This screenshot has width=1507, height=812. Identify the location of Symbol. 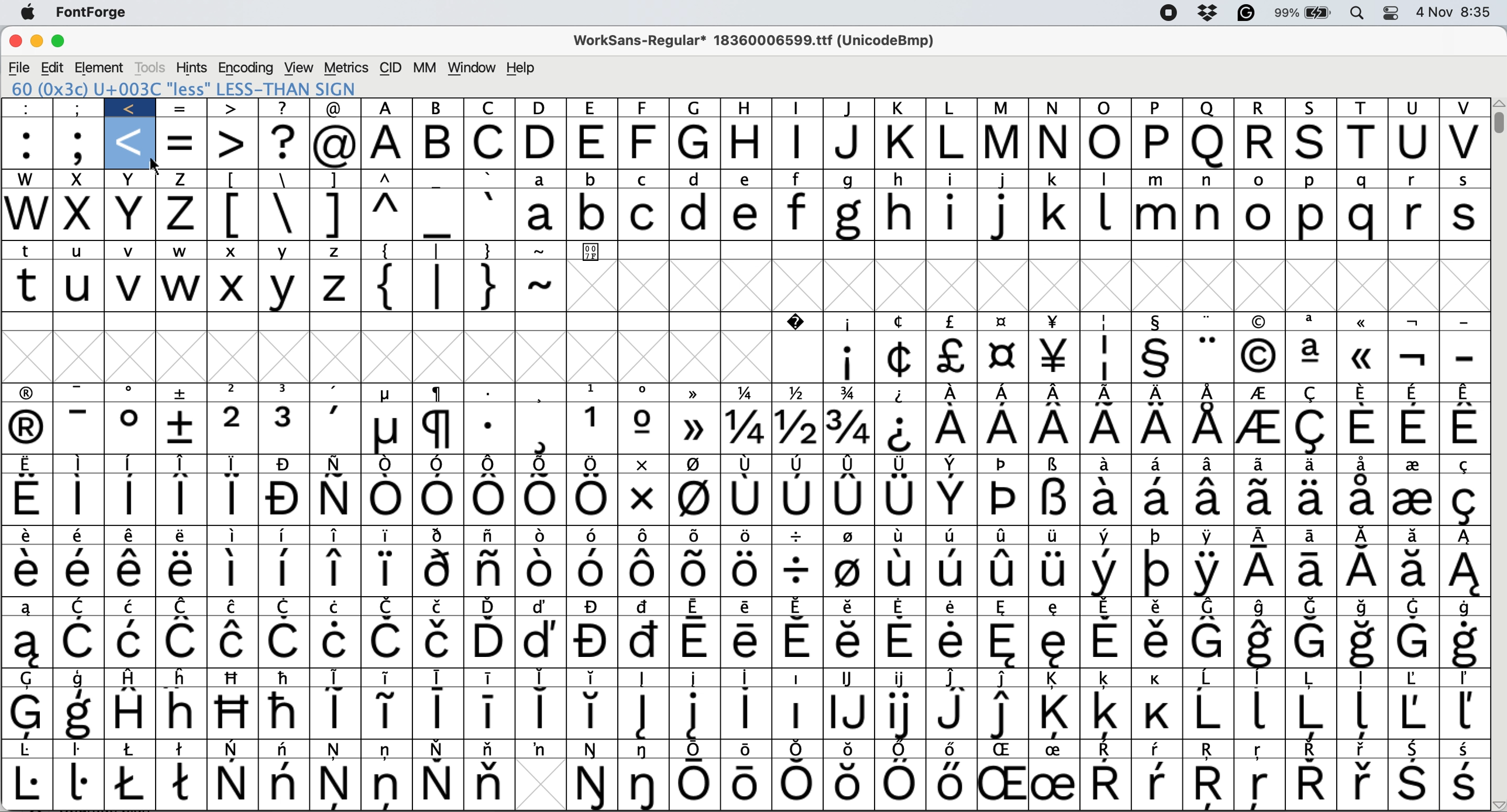
(1002, 357).